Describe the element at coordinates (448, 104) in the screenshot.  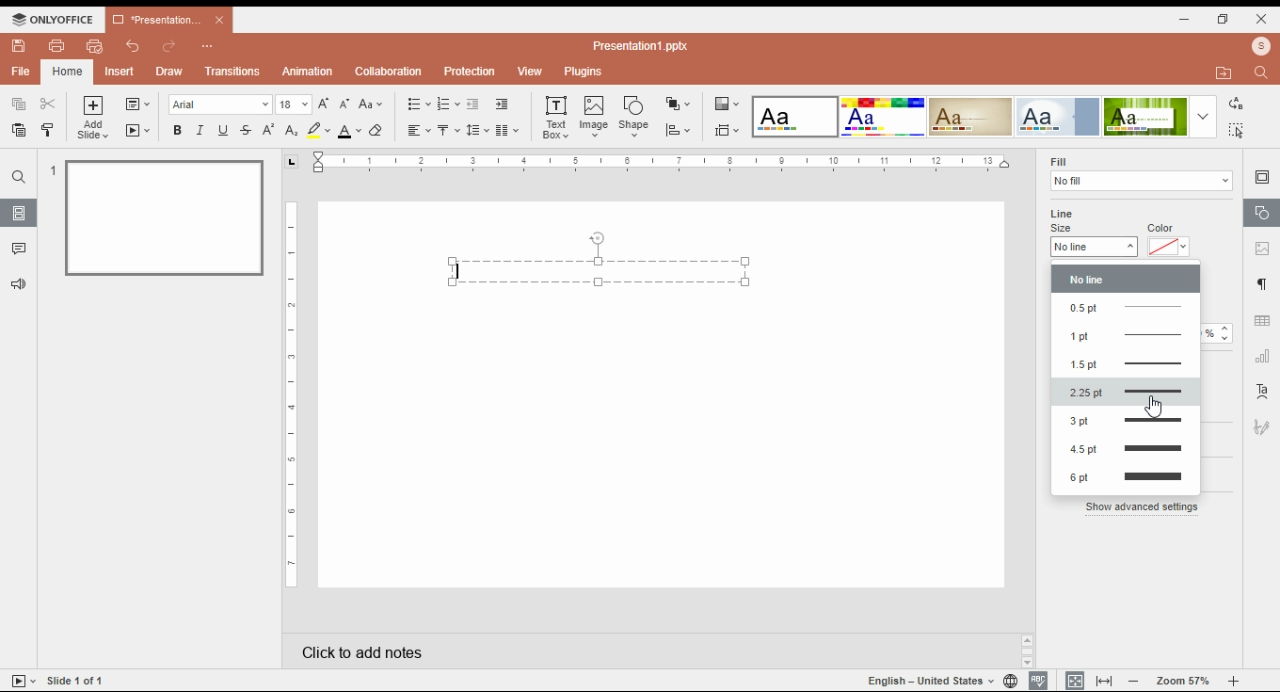
I see `numbering` at that location.